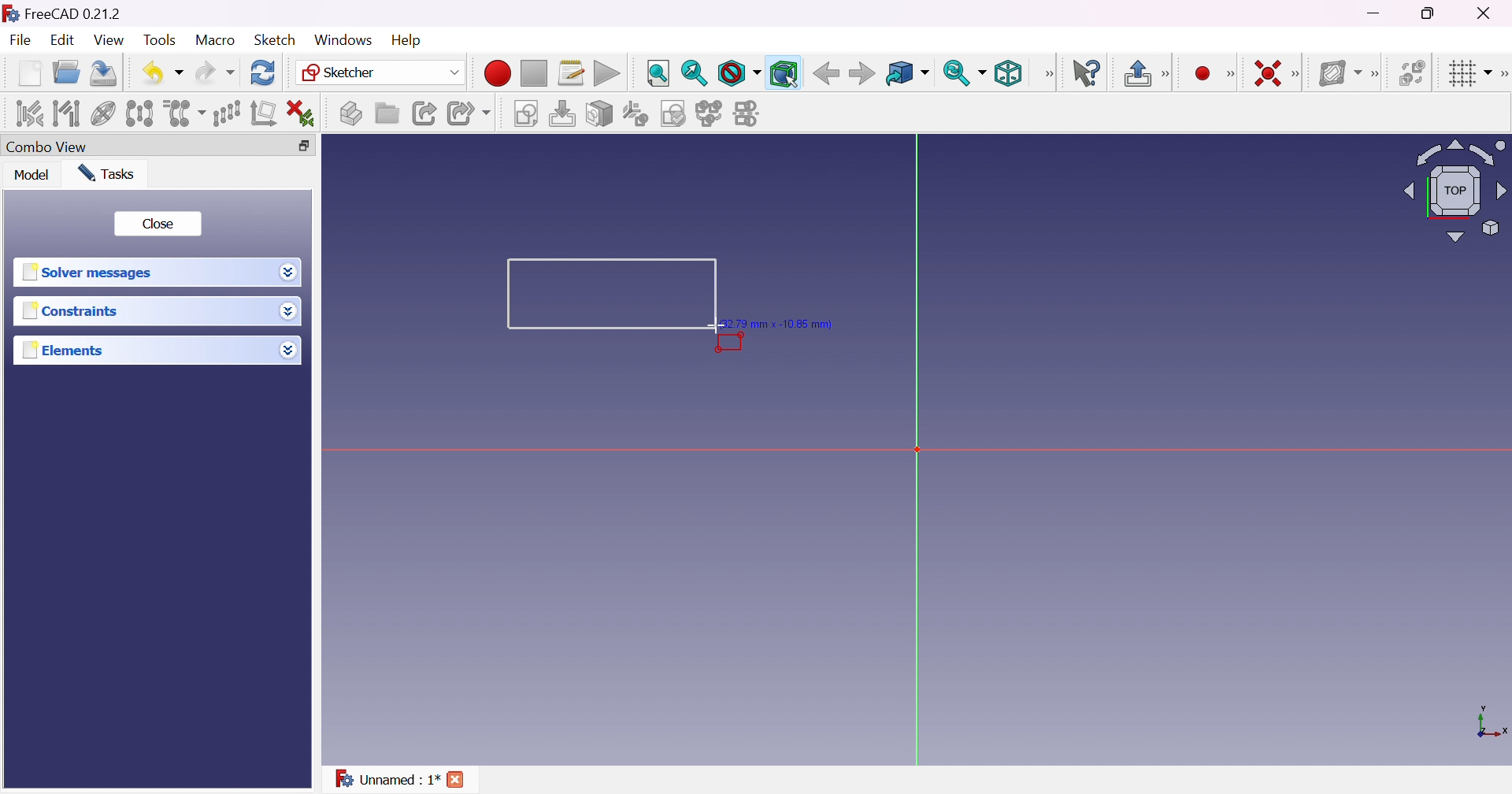 The width and height of the screenshot is (1512, 794). What do you see at coordinates (183, 113) in the screenshot?
I see `Clone` at bounding box center [183, 113].